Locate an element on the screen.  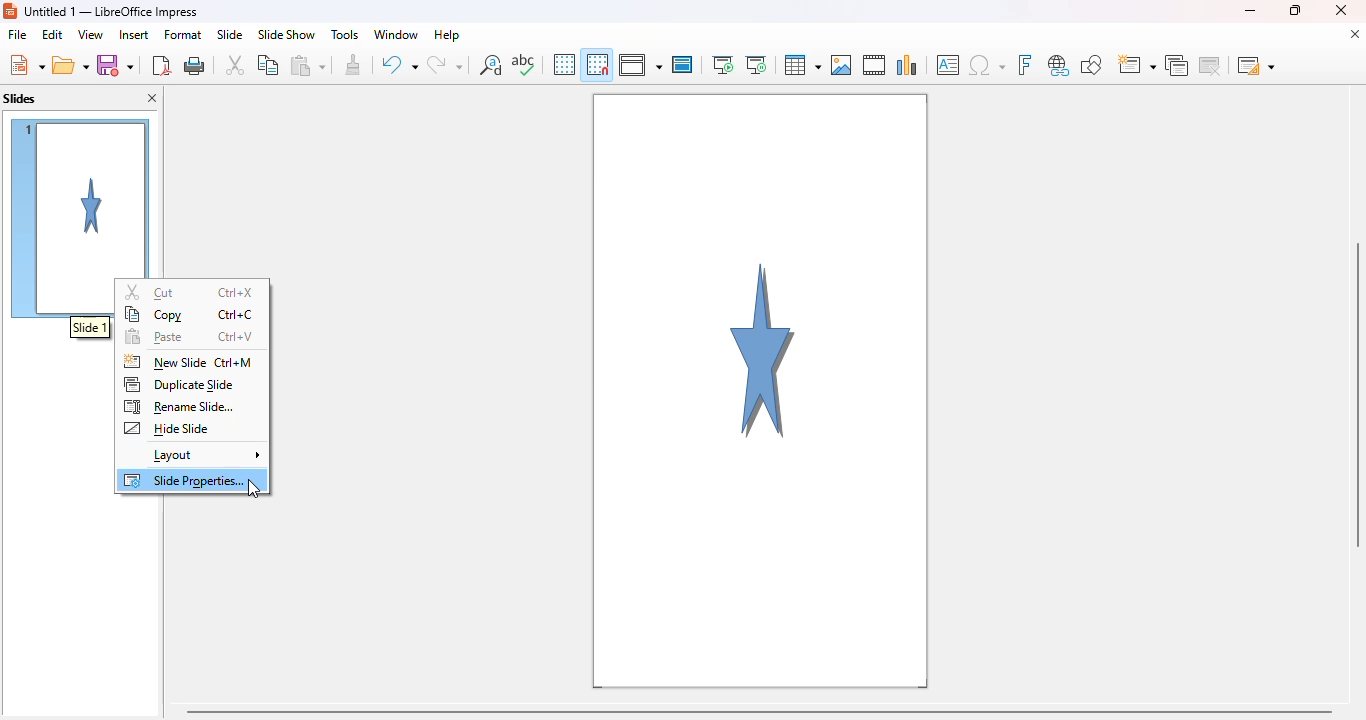
slide 1 is located at coordinates (81, 197).